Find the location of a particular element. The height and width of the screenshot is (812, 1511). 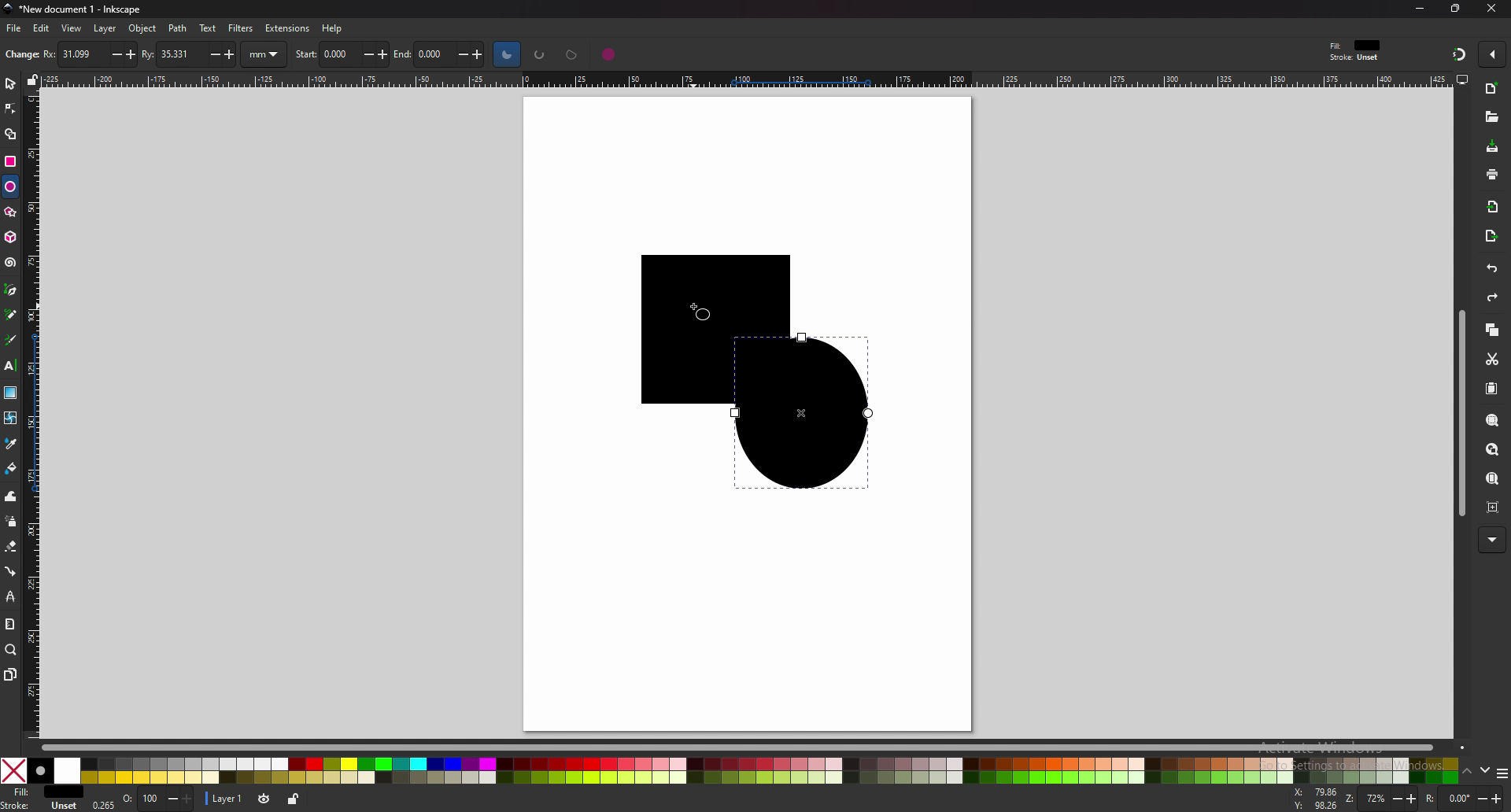

connector is located at coordinates (12, 570).